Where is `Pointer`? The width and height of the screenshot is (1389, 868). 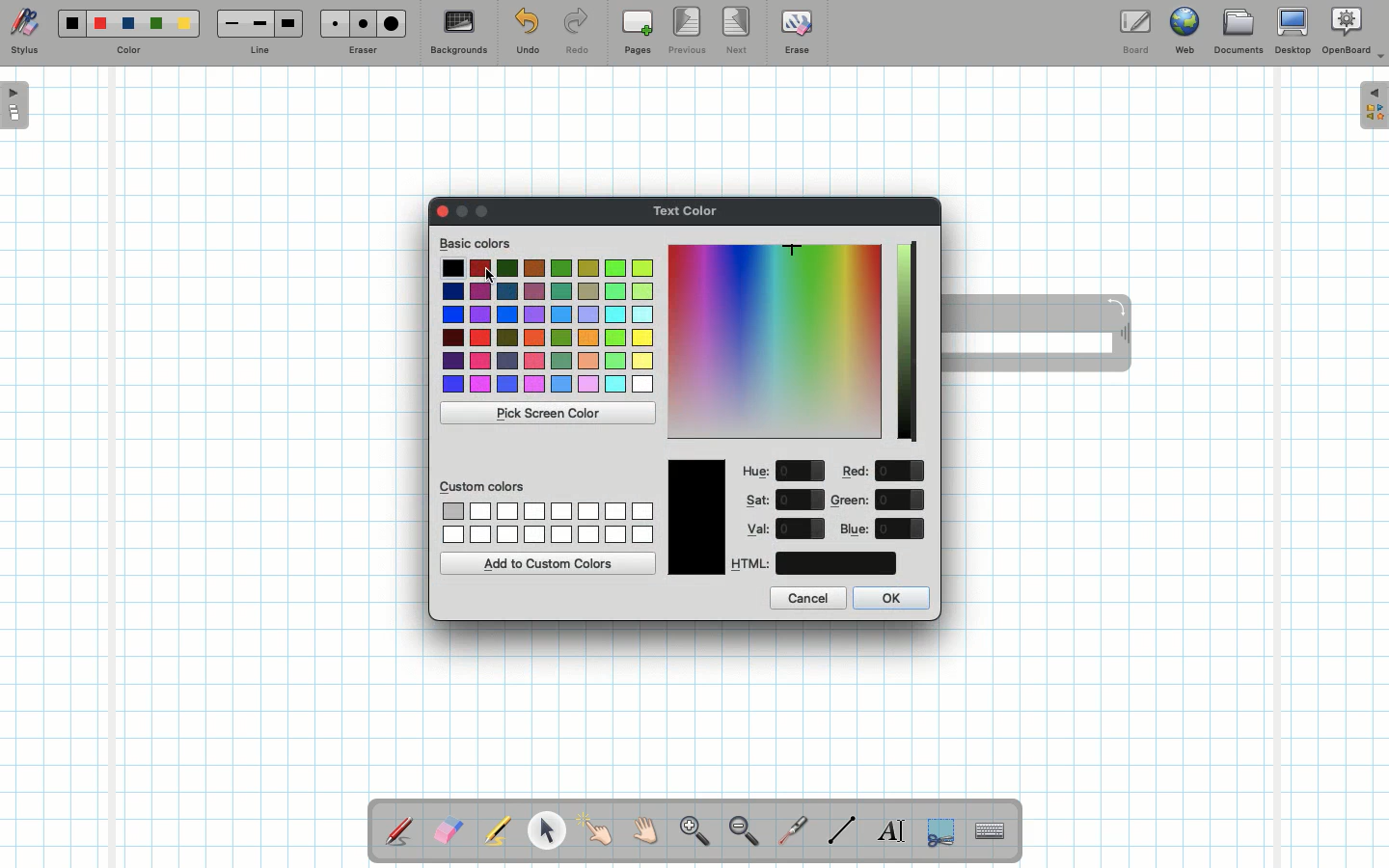 Pointer is located at coordinates (546, 830).